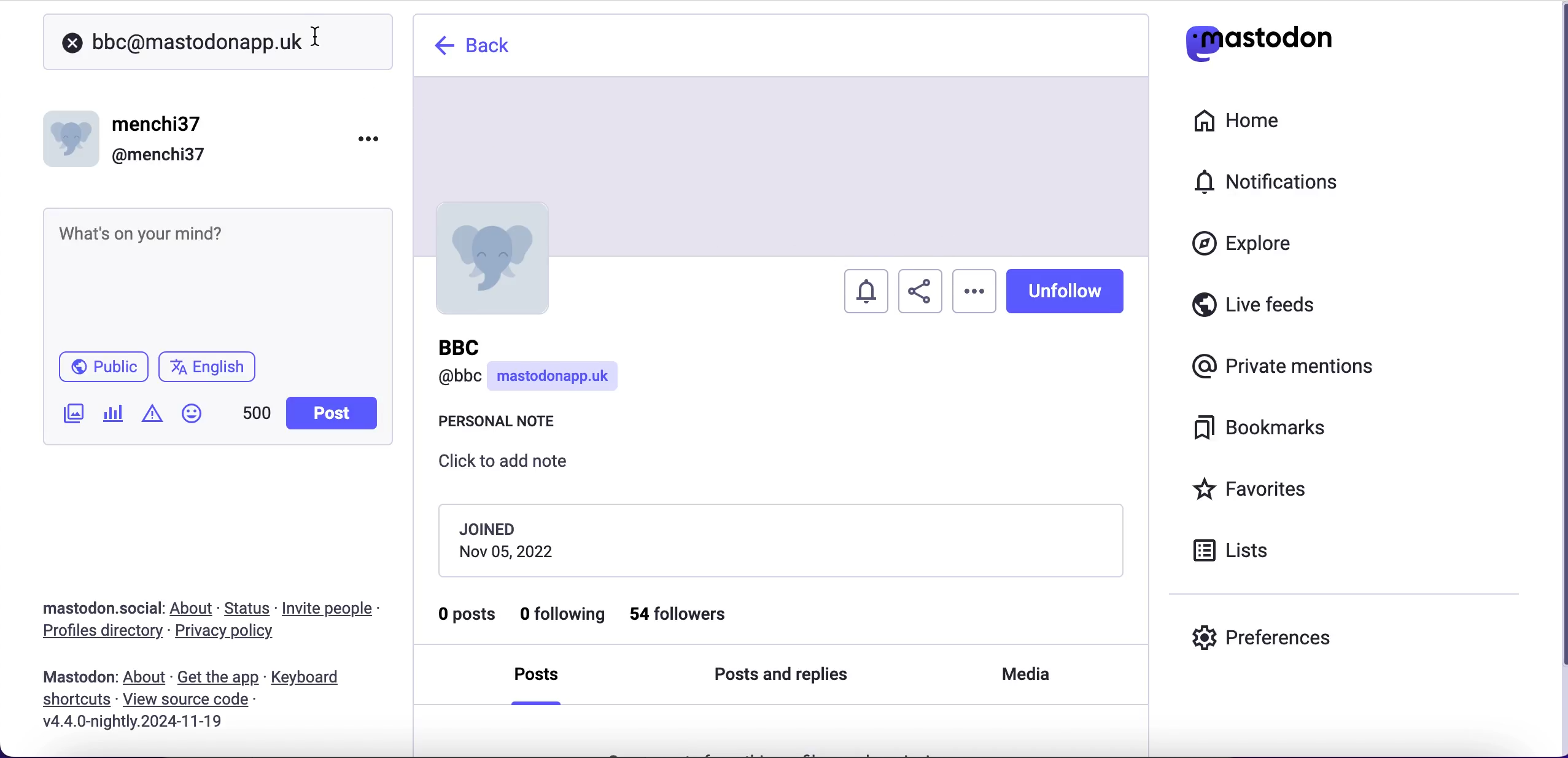 The width and height of the screenshot is (1568, 758). I want to click on public, so click(102, 370).